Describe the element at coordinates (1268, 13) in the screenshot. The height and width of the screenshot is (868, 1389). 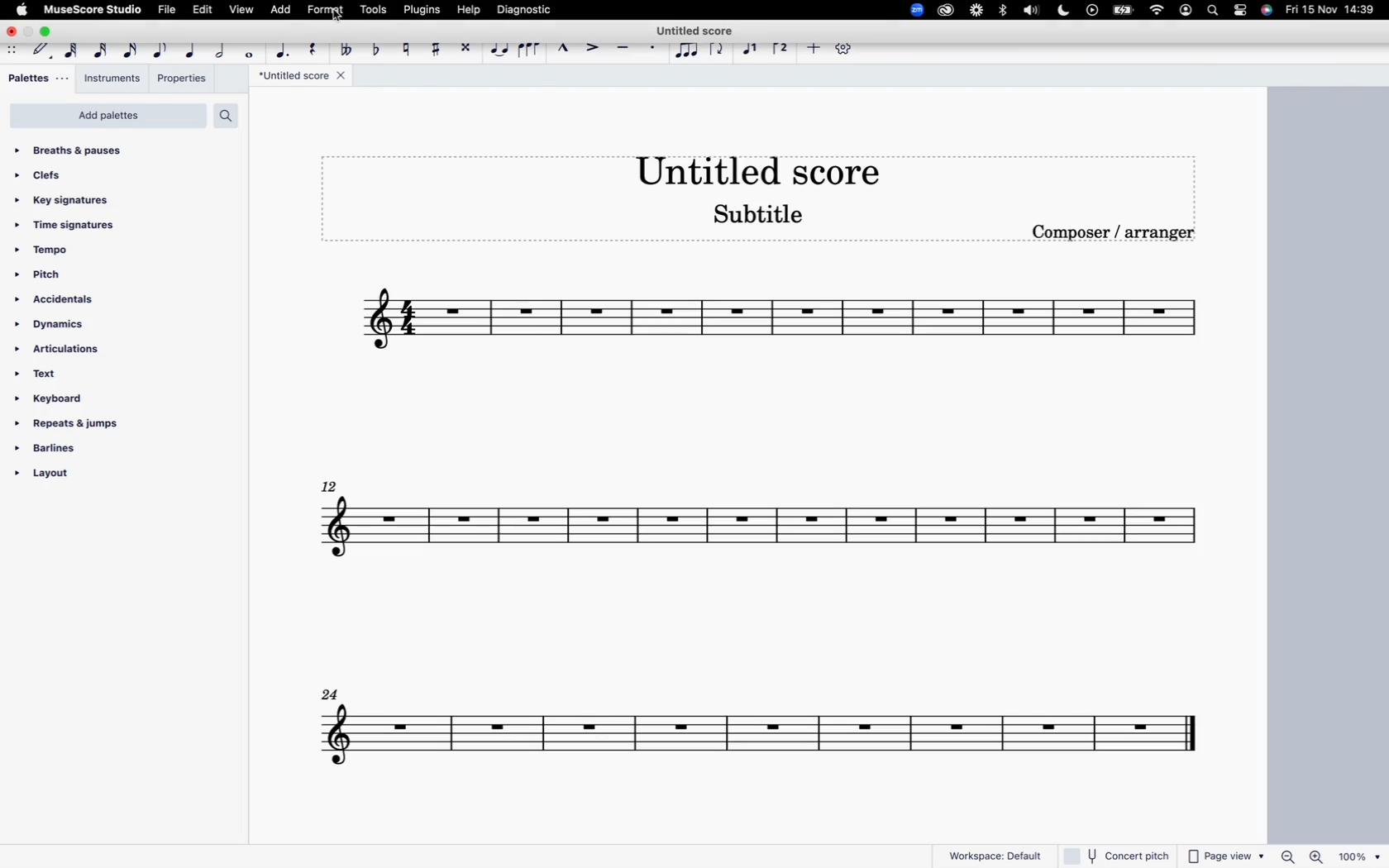
I see `siri` at that location.